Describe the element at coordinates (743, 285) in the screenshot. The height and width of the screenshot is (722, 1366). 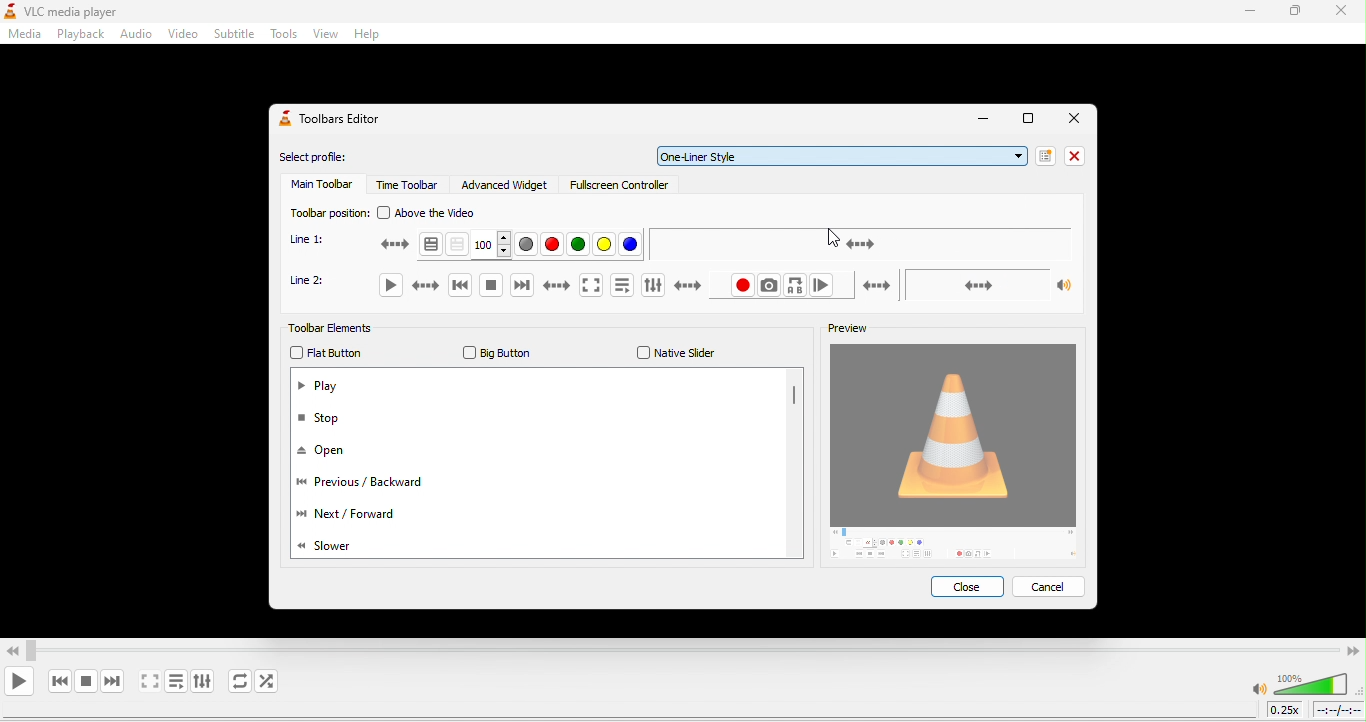
I see `record` at that location.